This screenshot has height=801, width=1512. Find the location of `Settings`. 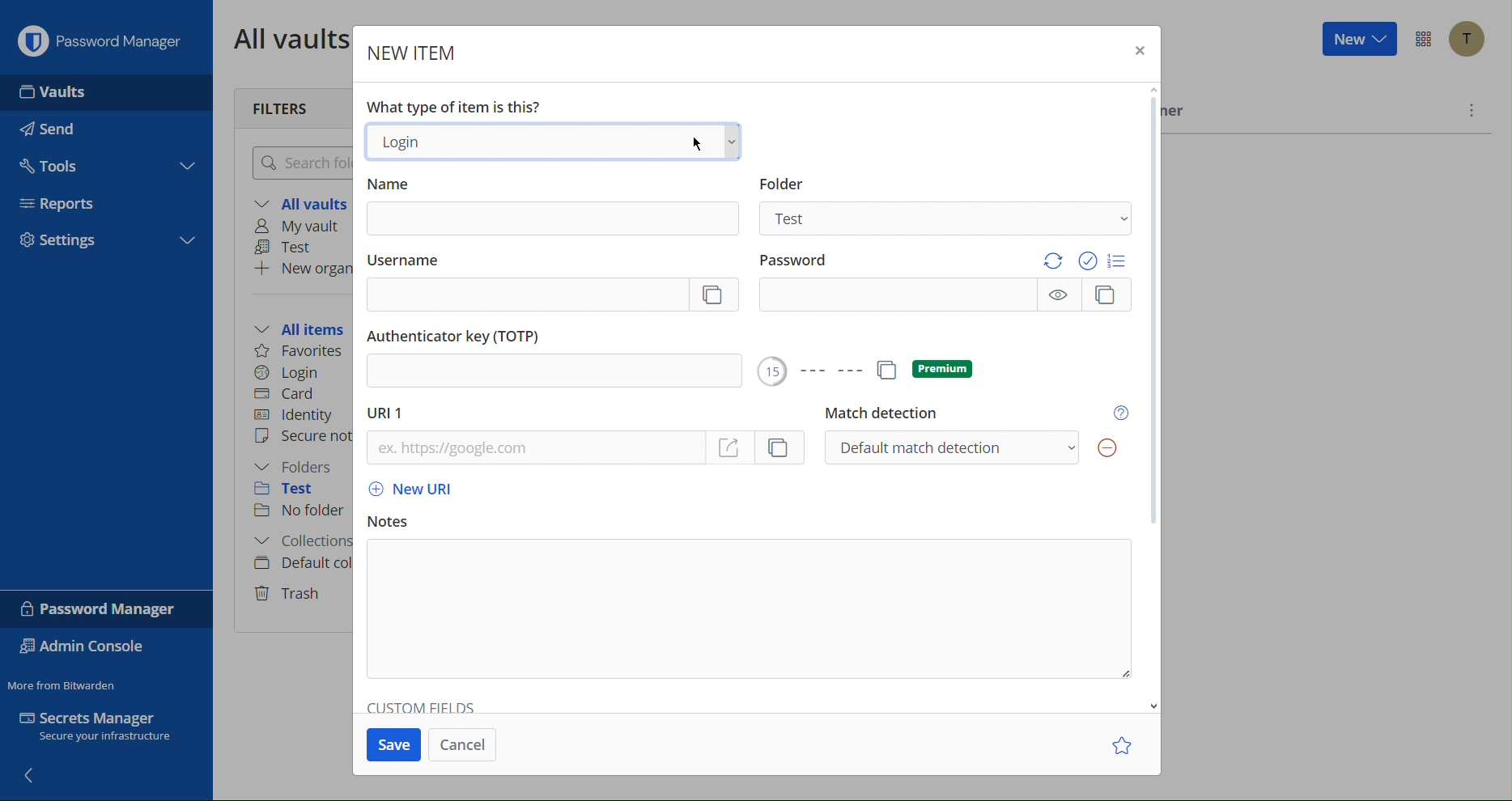

Settings is located at coordinates (101, 239).